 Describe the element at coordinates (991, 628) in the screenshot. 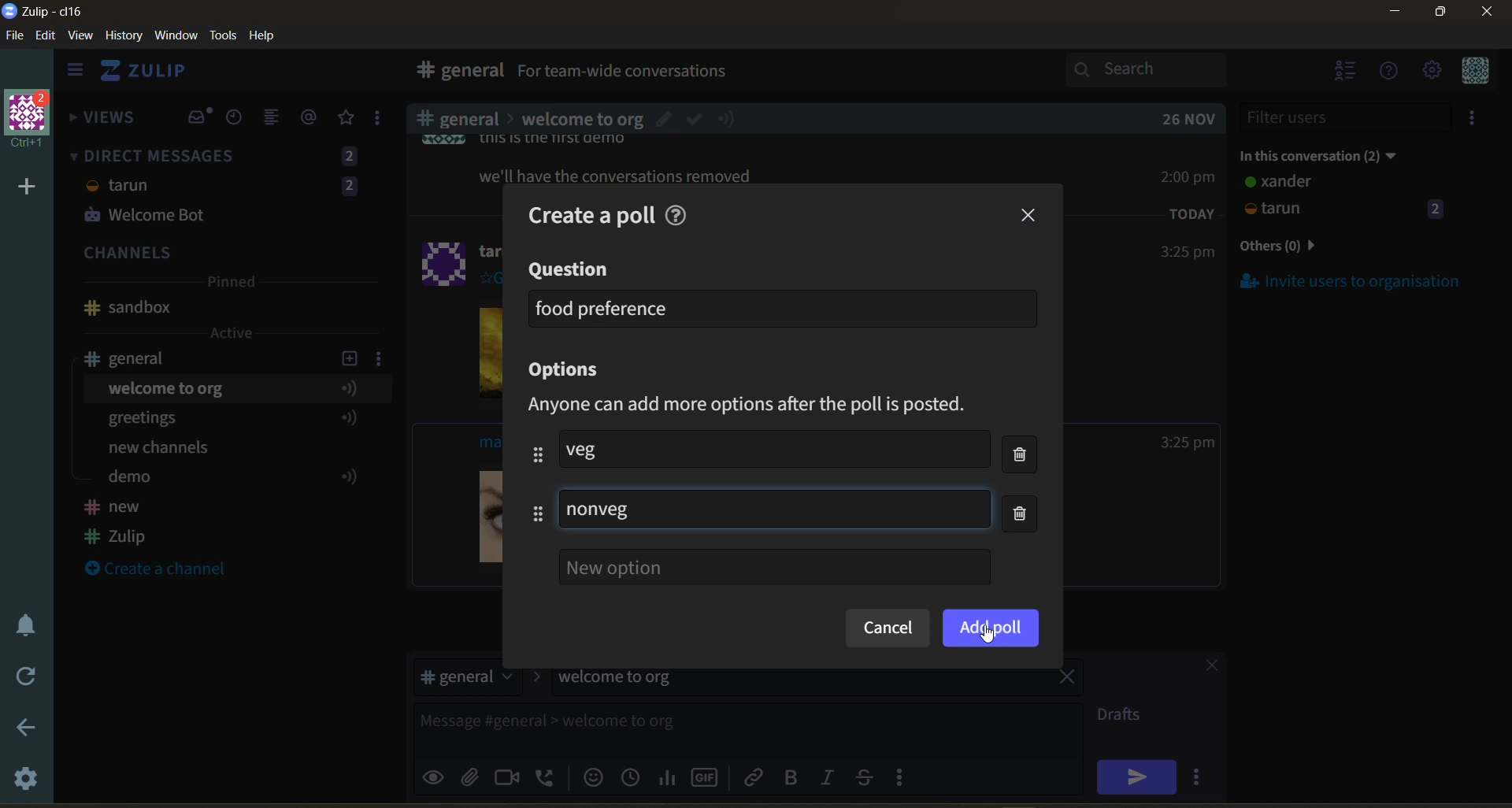

I see `` at that location.